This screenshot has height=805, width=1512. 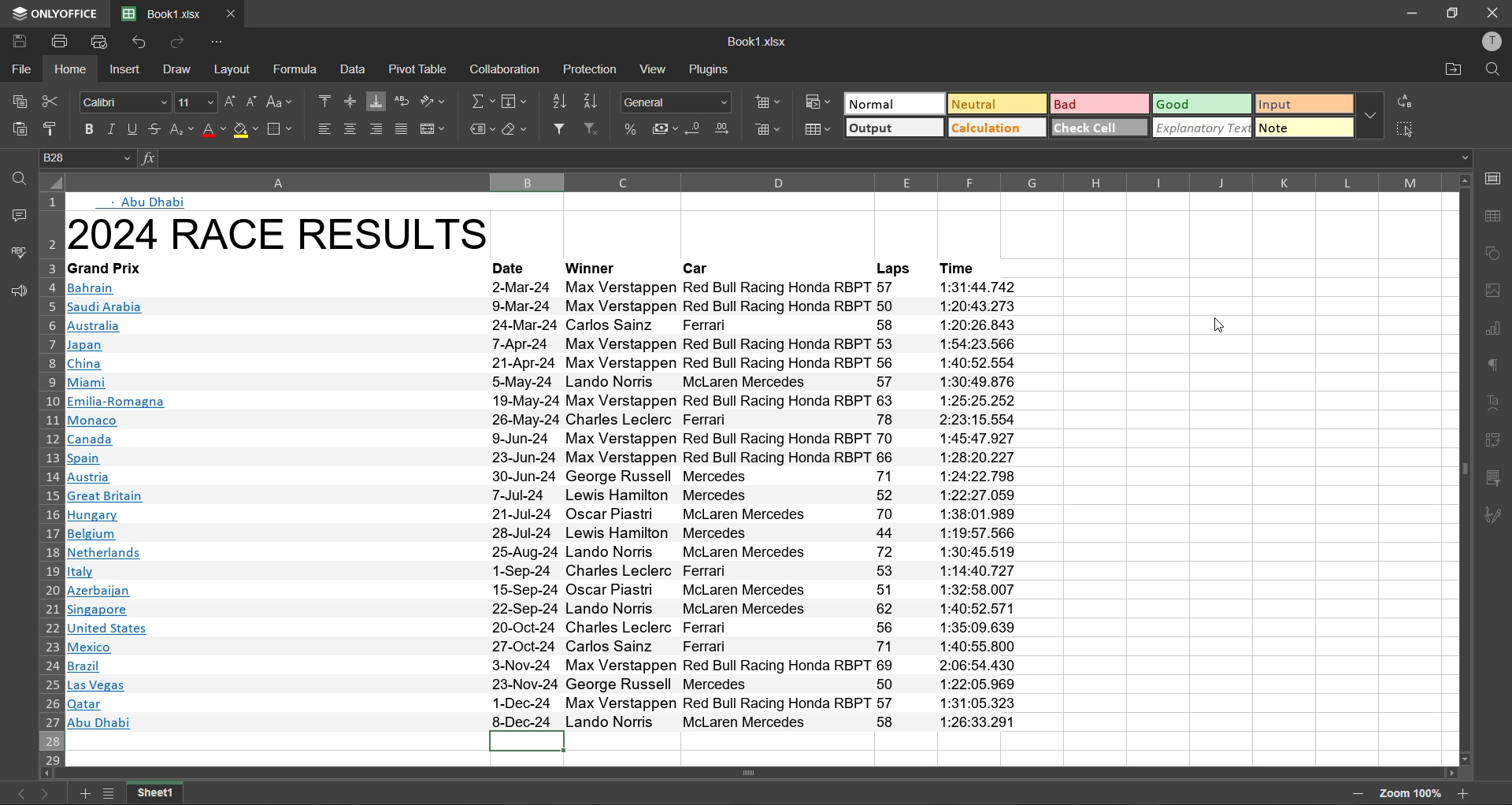 What do you see at coordinates (18, 218) in the screenshot?
I see `comments` at bounding box center [18, 218].